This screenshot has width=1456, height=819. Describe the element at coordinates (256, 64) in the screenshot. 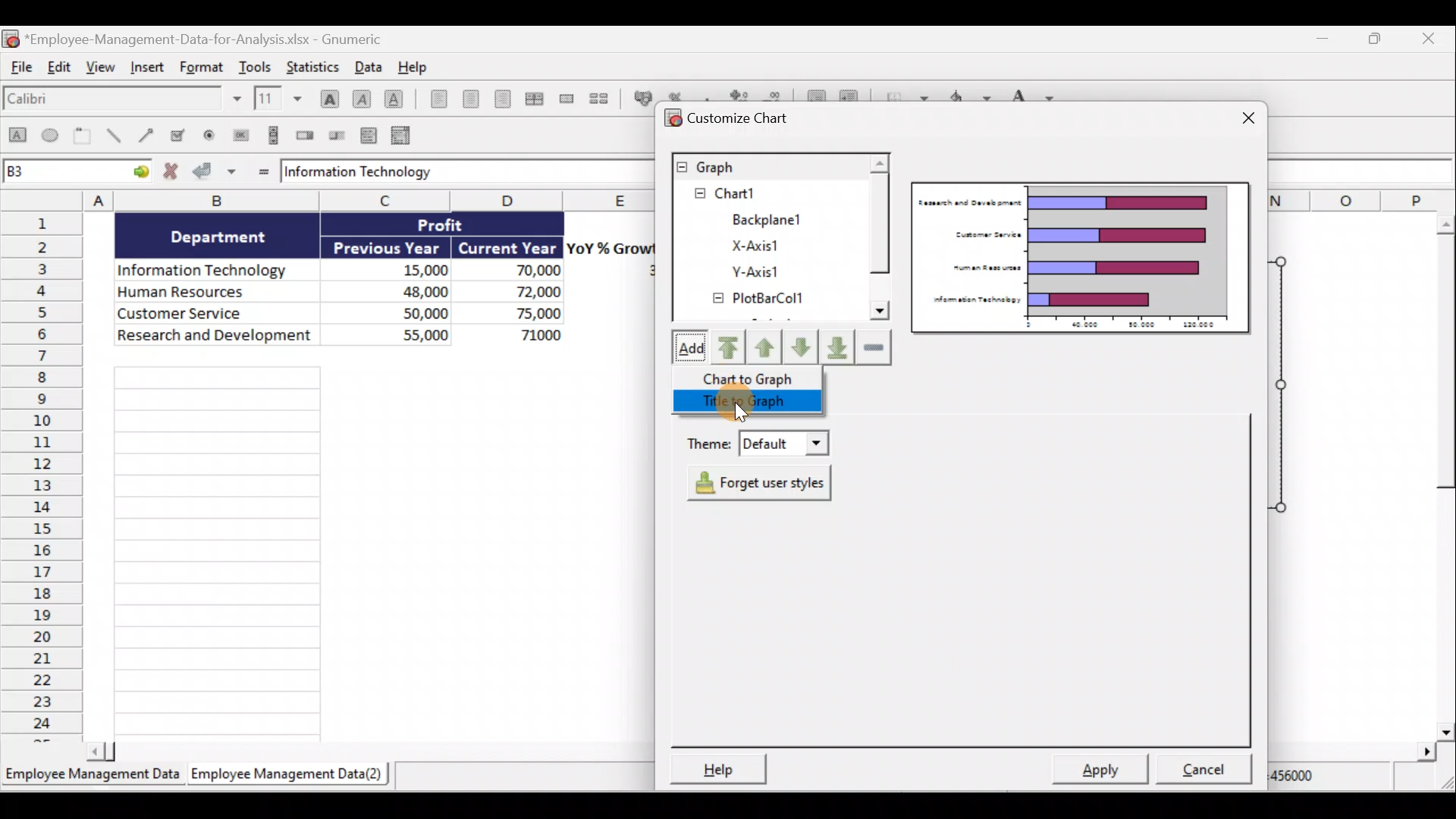

I see `Tools` at that location.